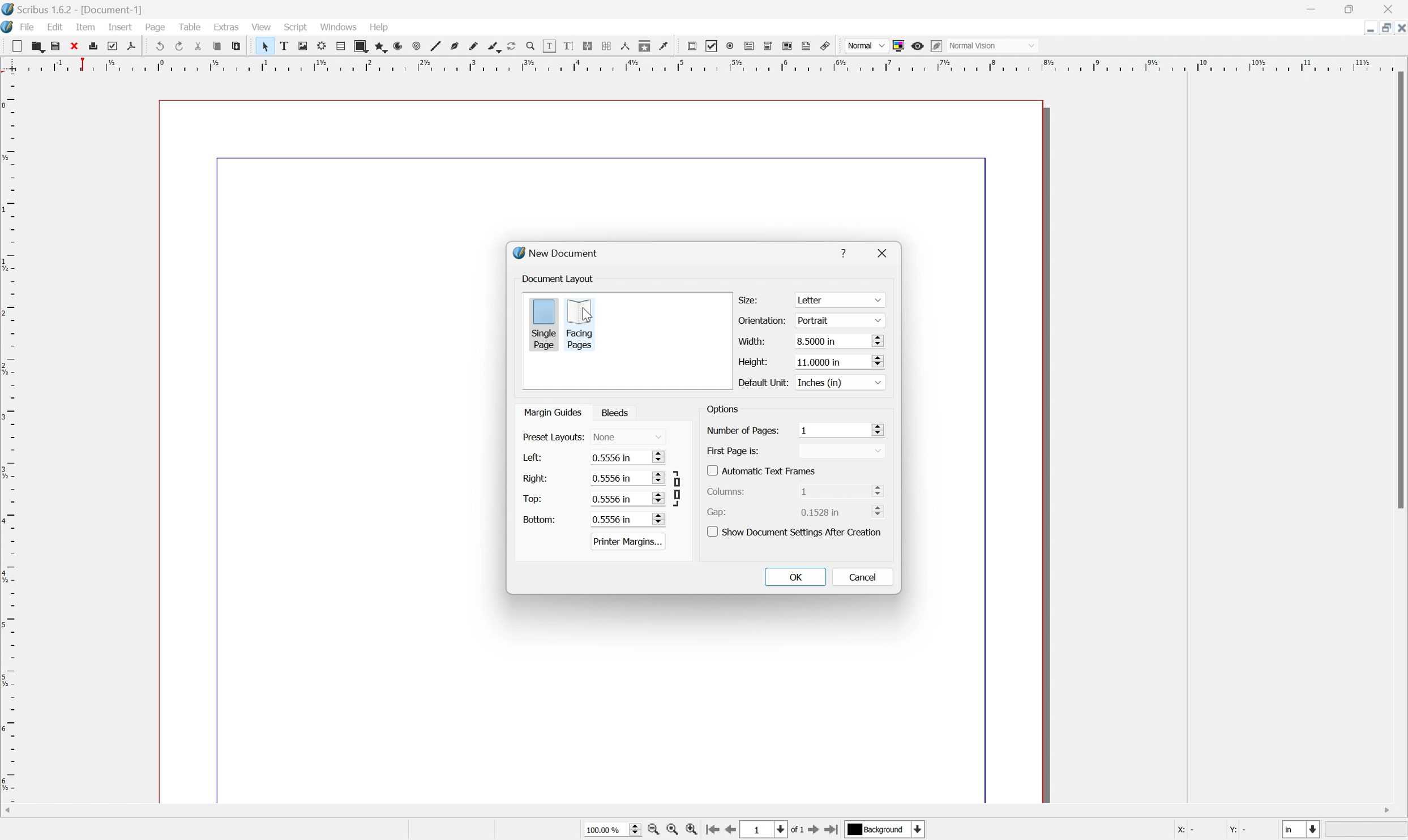  Describe the element at coordinates (712, 809) in the screenshot. I see `Scroll bar` at that location.